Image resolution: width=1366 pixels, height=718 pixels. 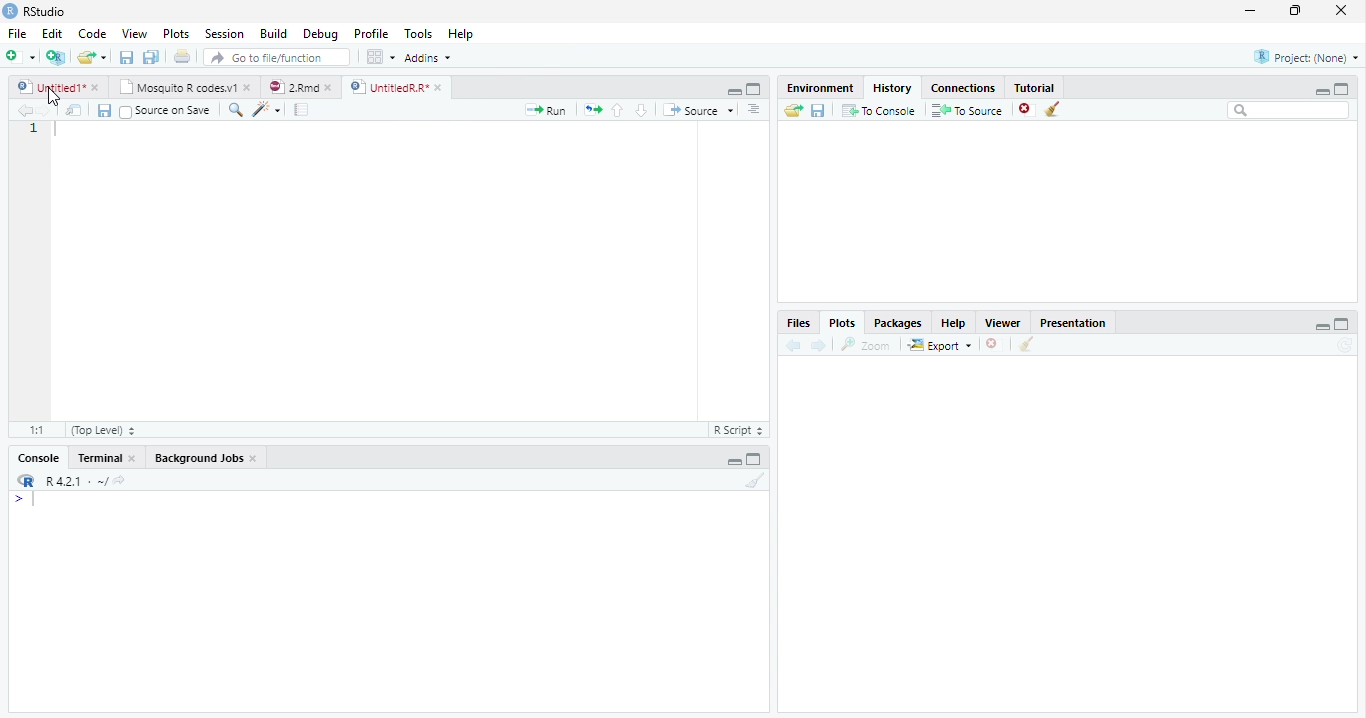 What do you see at coordinates (899, 324) in the screenshot?
I see `Packages` at bounding box center [899, 324].